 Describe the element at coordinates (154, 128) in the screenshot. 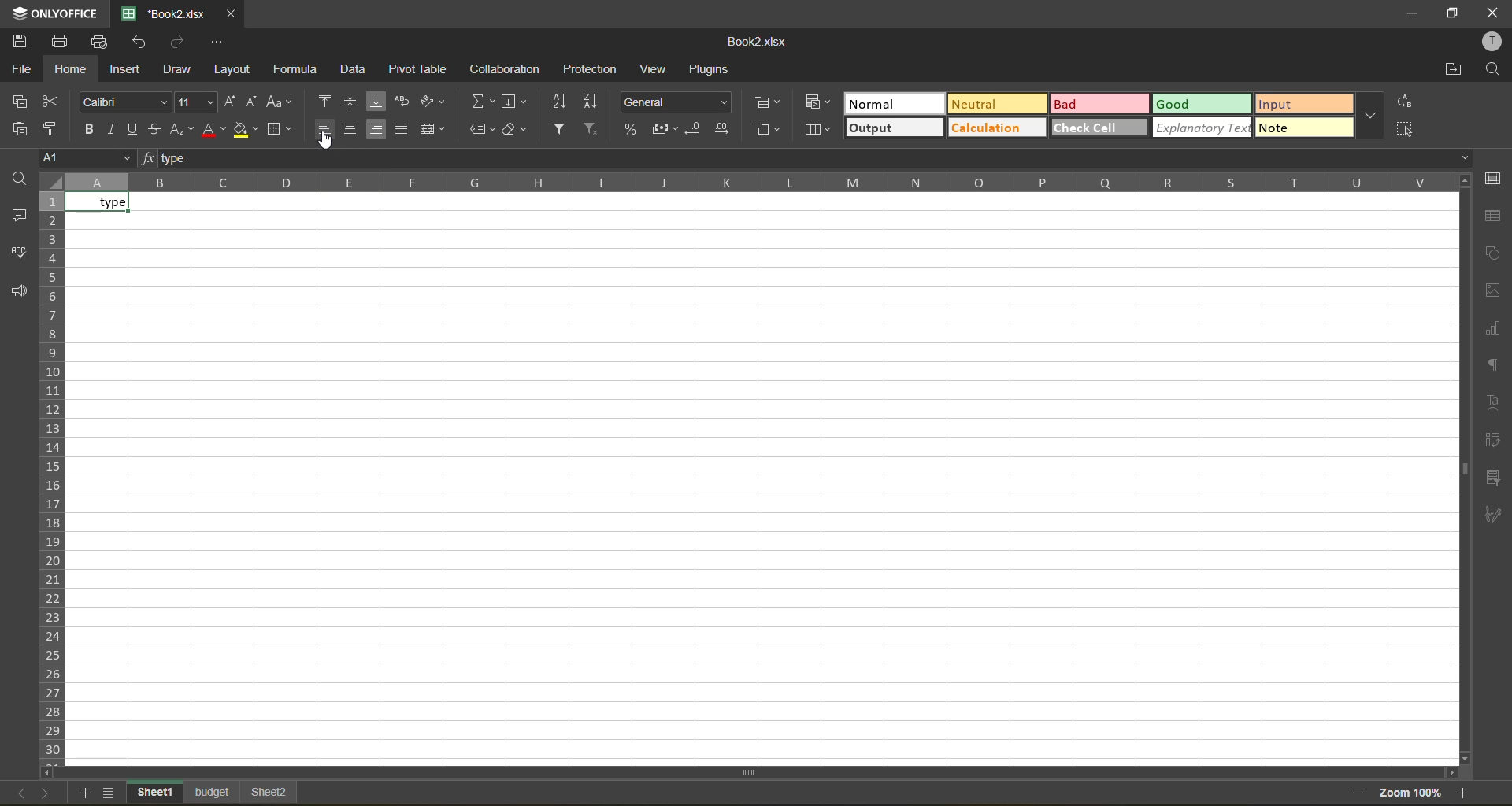

I see `strikethrough` at that location.